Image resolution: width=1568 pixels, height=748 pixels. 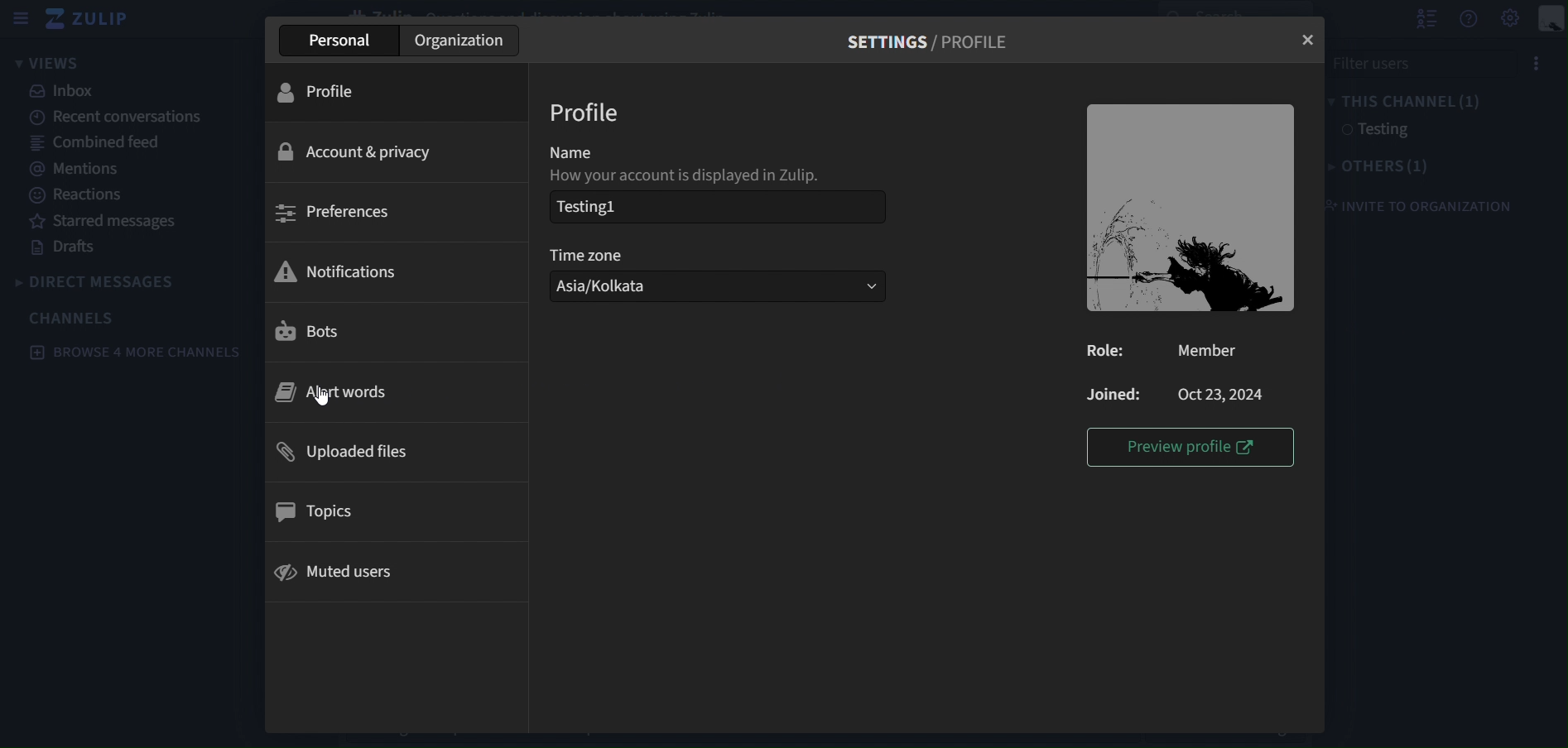 I want to click on options, so click(x=1537, y=61).